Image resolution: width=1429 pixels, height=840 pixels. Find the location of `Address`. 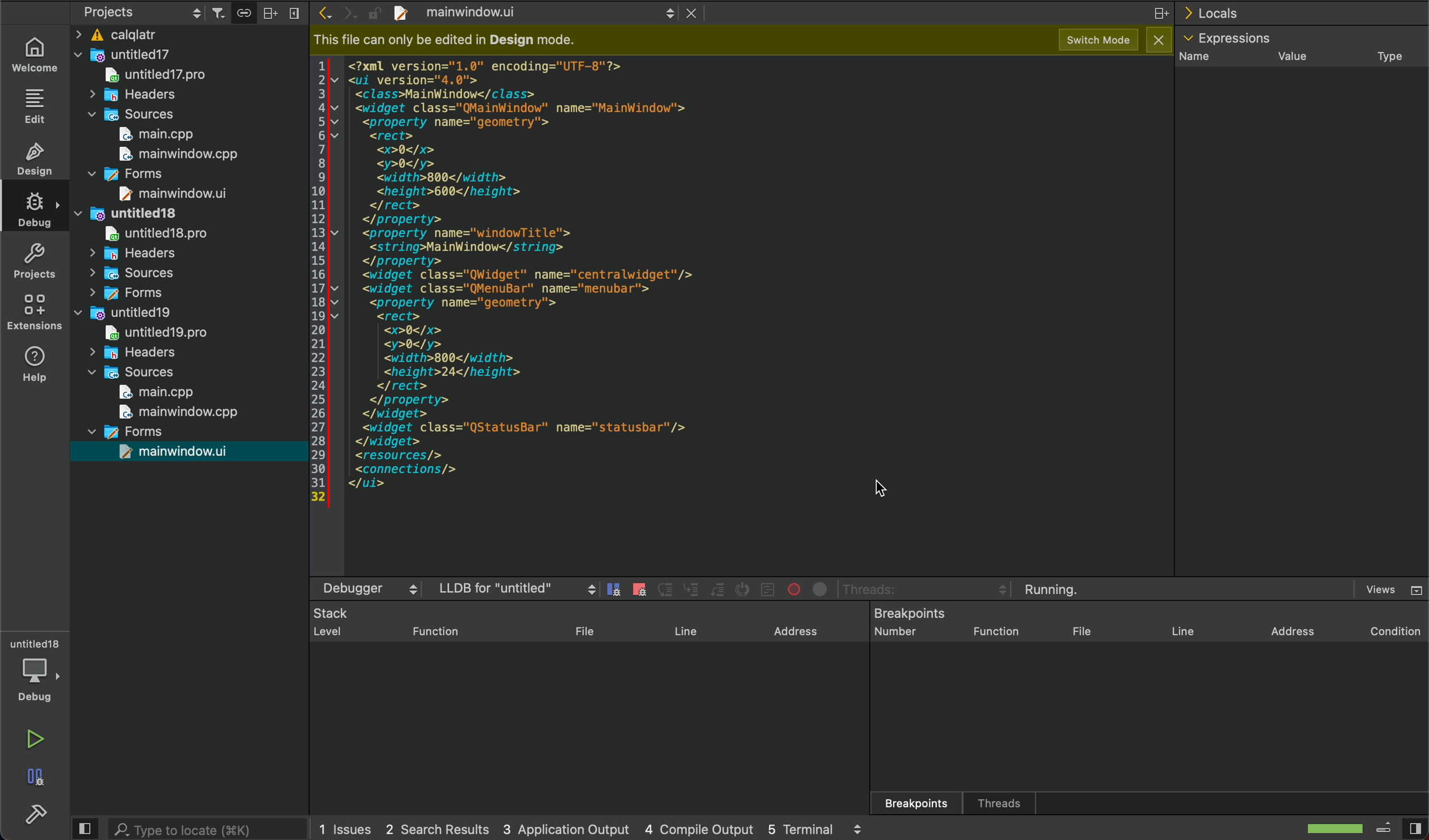

Address is located at coordinates (789, 621).